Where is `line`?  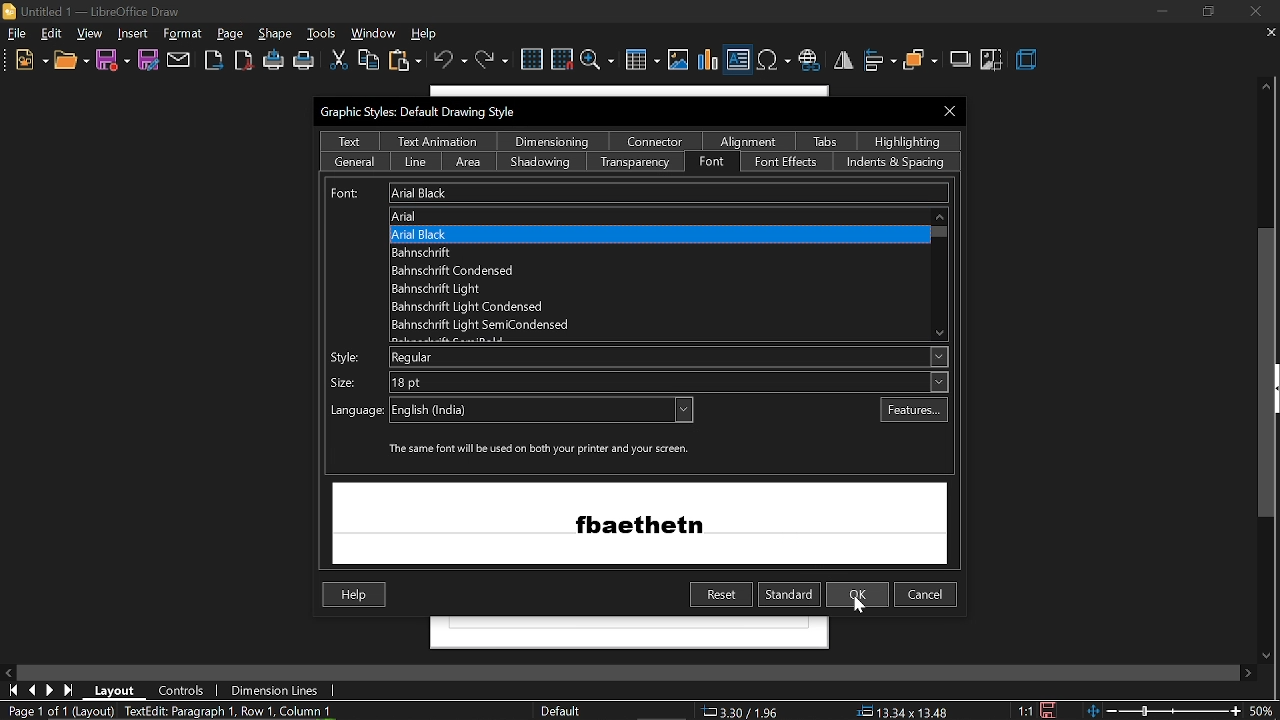 line is located at coordinates (415, 161).